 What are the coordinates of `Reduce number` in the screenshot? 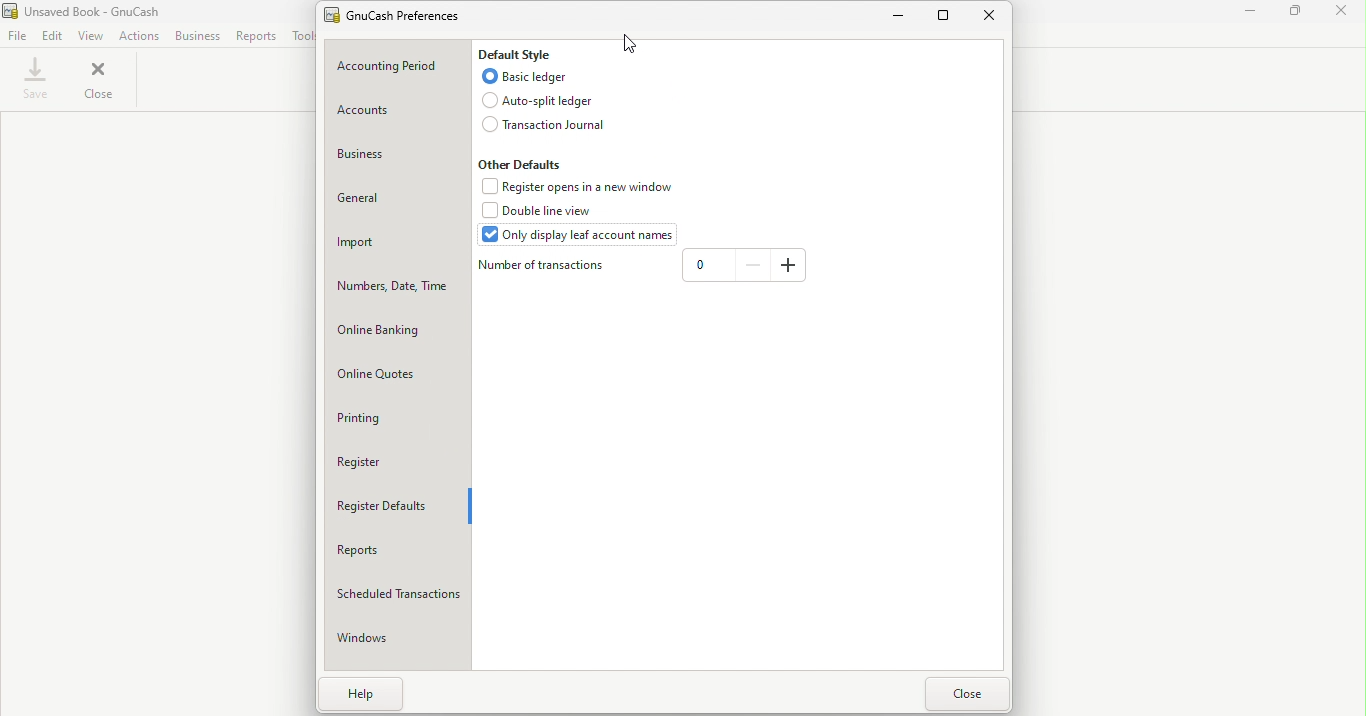 It's located at (753, 265).